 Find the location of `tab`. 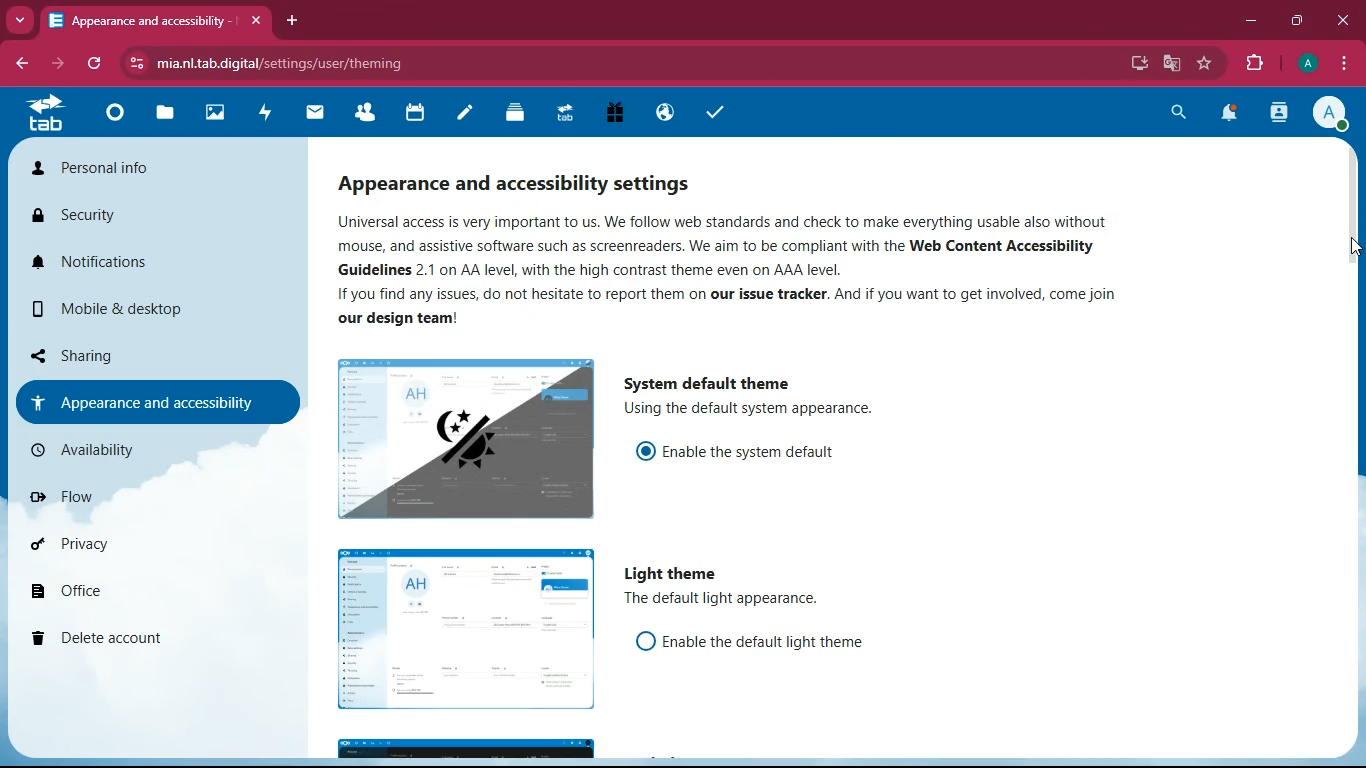

tab is located at coordinates (563, 111).